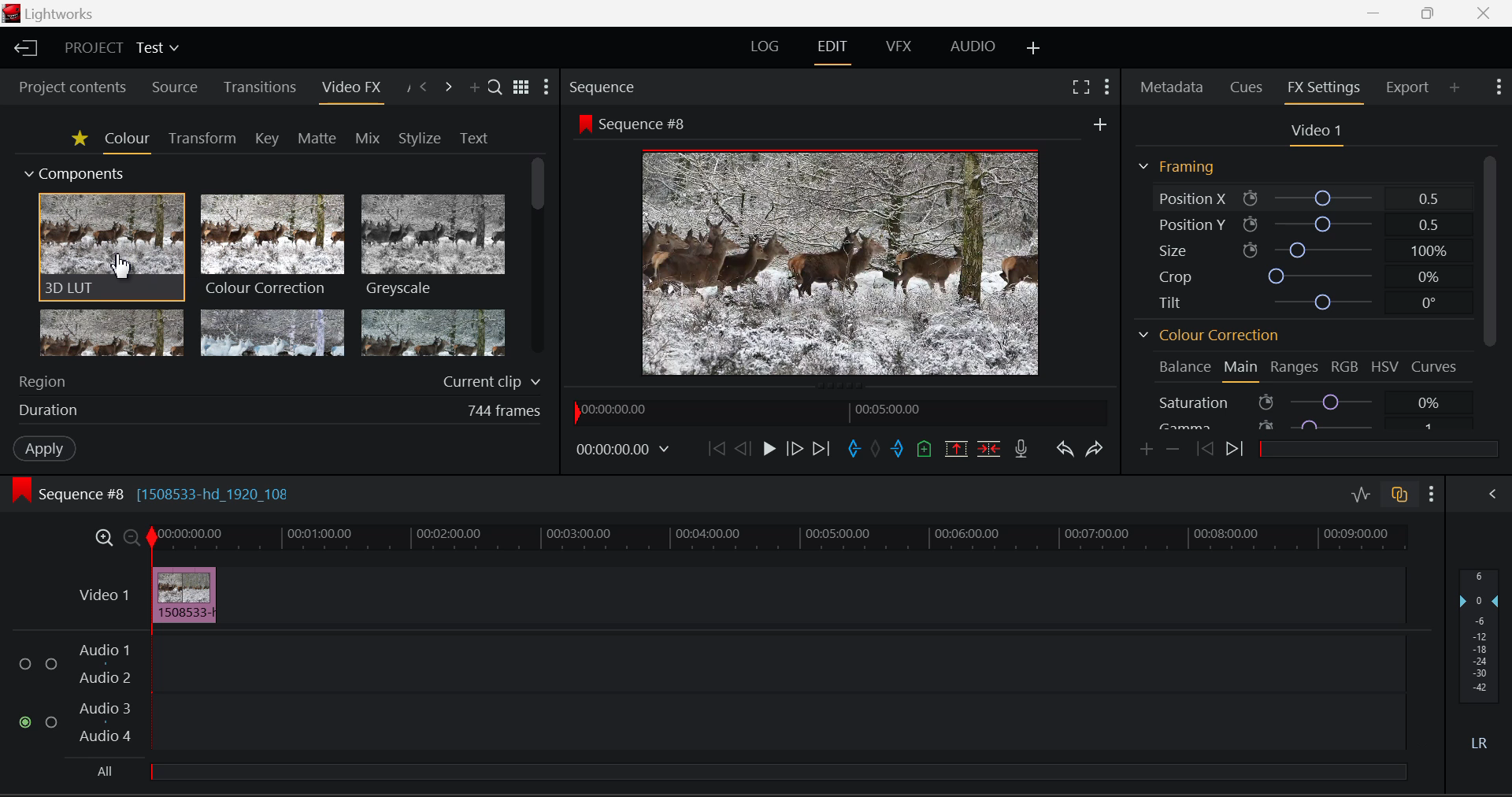 This screenshot has width=1512, height=797. What do you see at coordinates (1145, 451) in the screenshot?
I see `Add keyframe` at bounding box center [1145, 451].